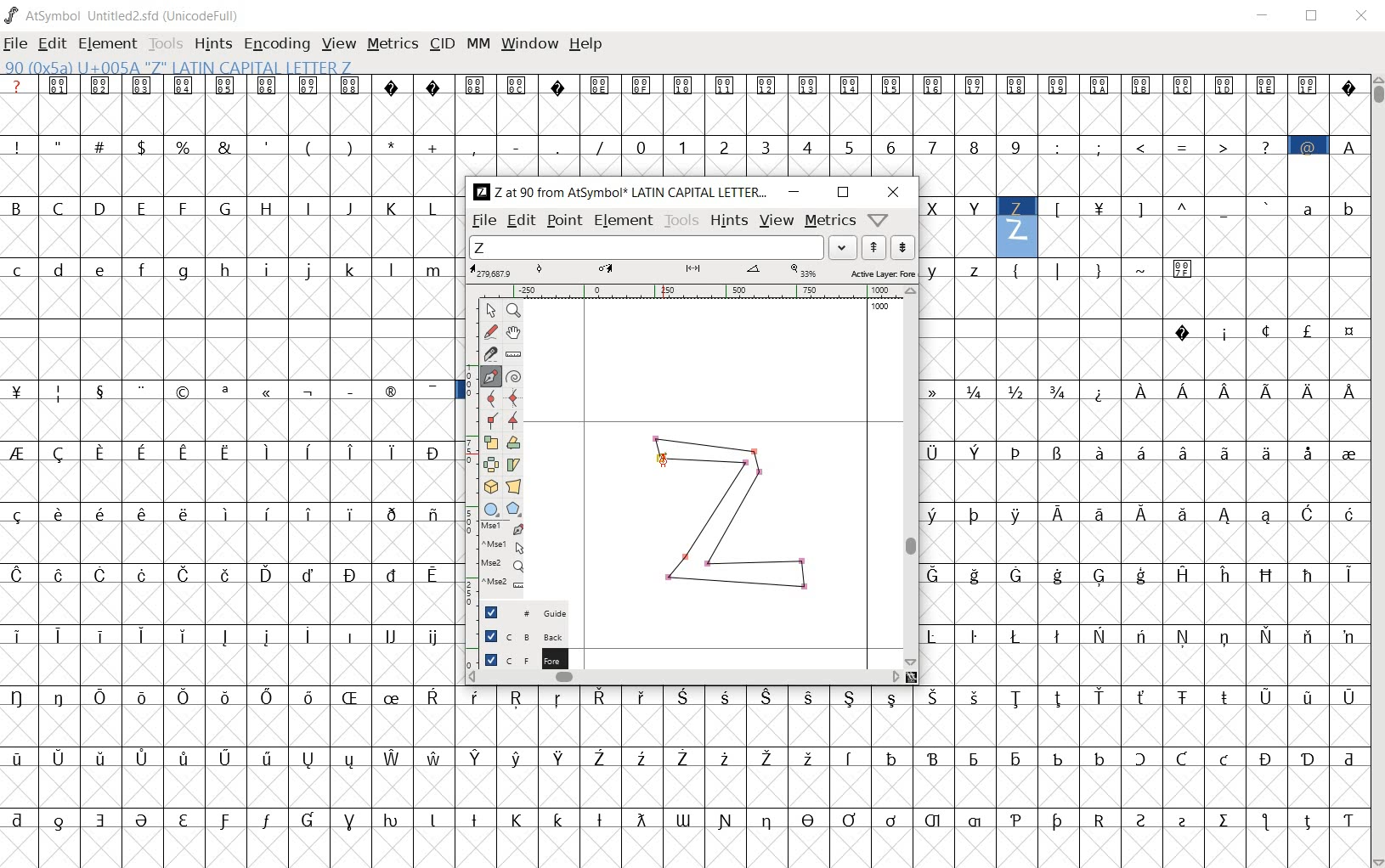 The image size is (1385, 868). What do you see at coordinates (490, 486) in the screenshot?
I see `rotate the selection in 3D and project back to plane` at bounding box center [490, 486].